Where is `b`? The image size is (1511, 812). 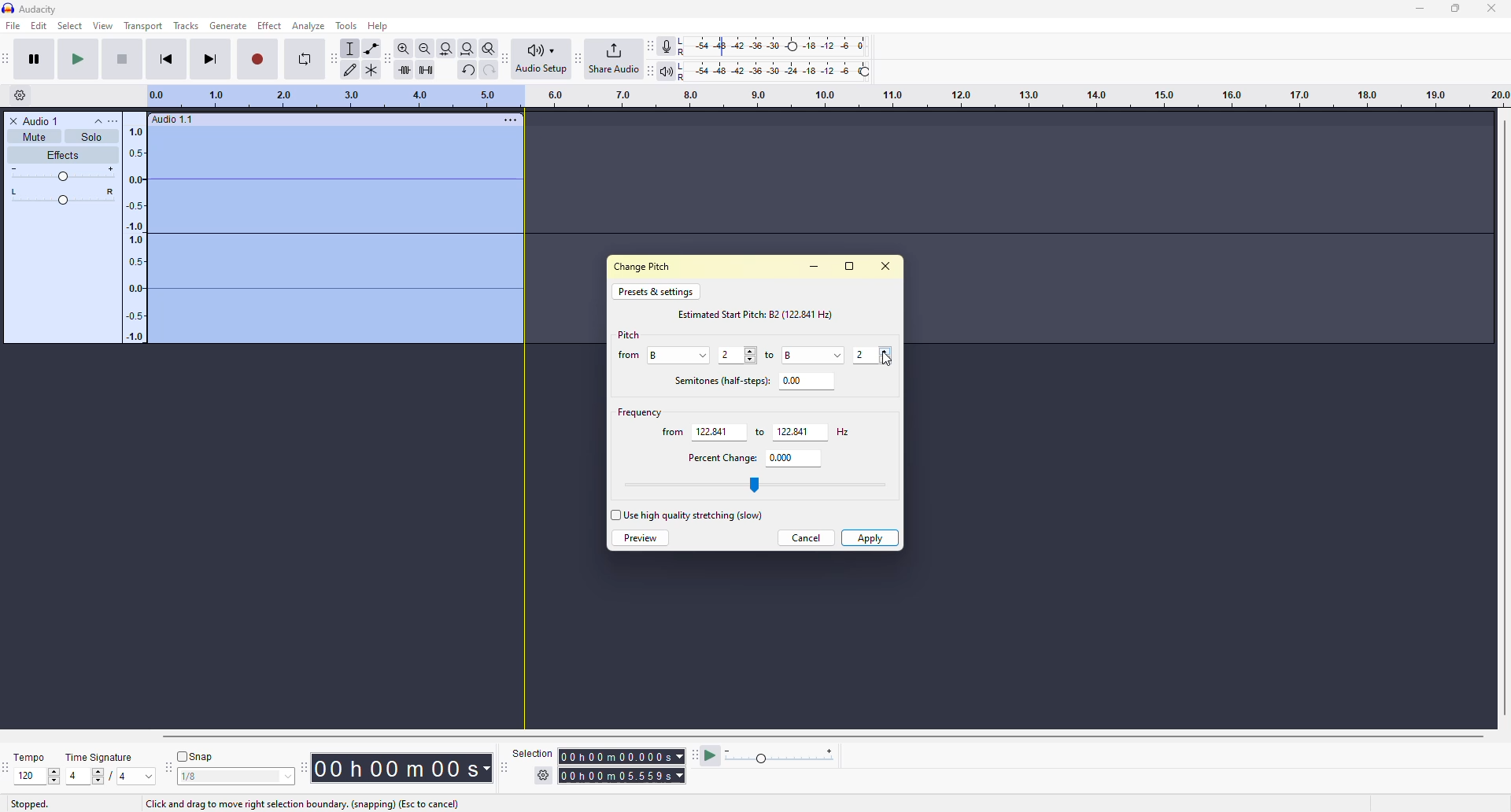 b is located at coordinates (661, 354).